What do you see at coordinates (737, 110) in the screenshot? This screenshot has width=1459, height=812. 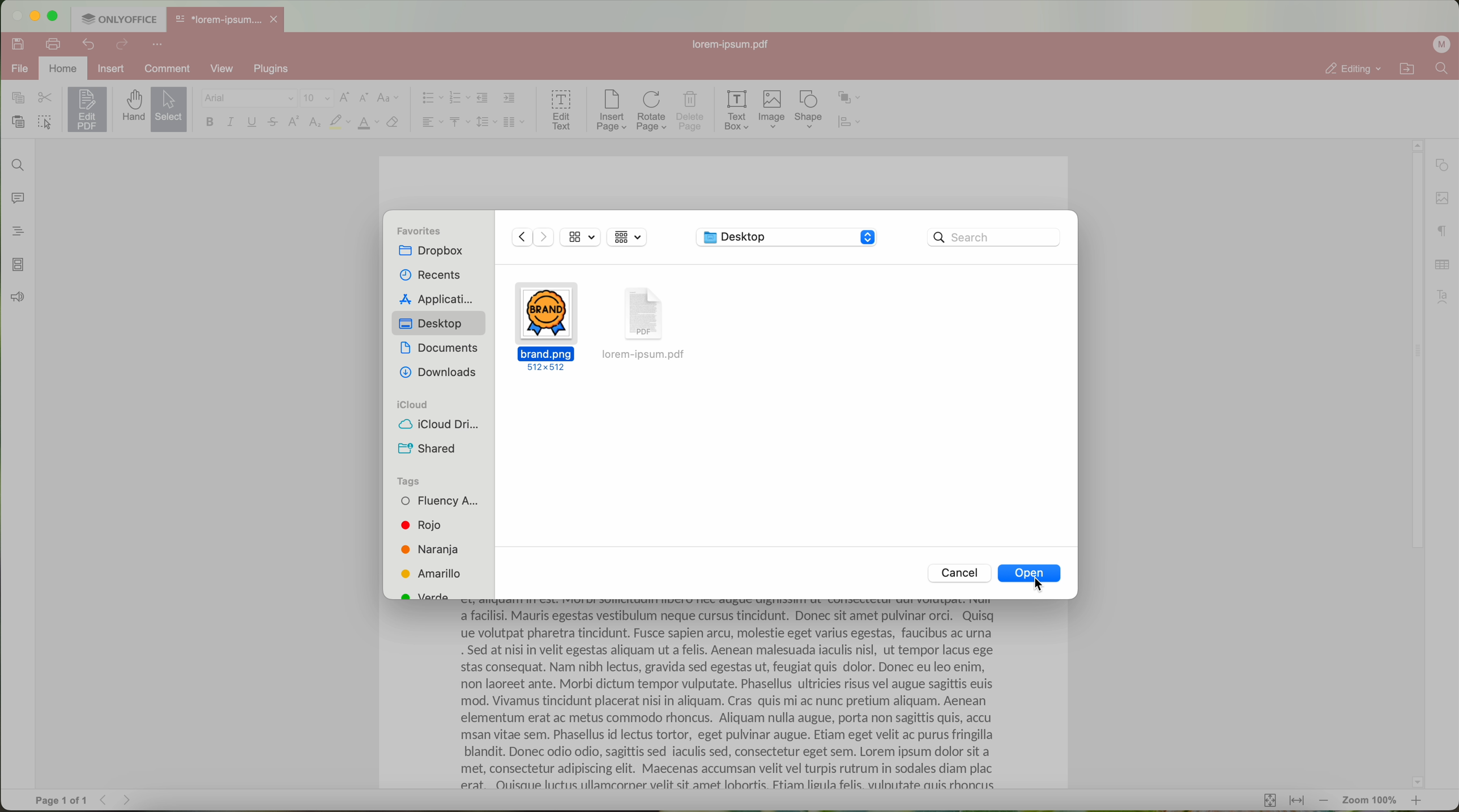 I see `text box` at bounding box center [737, 110].